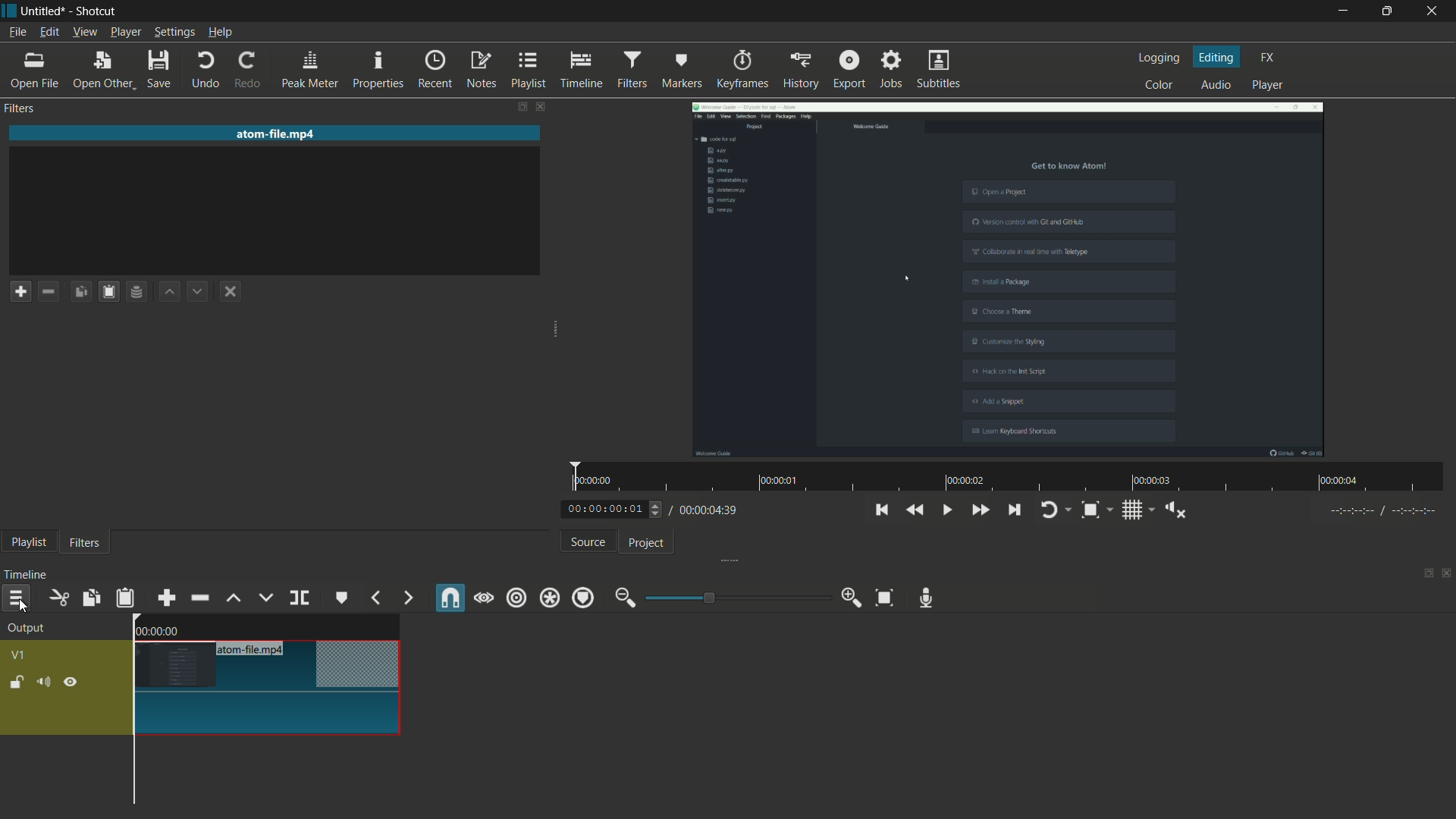  I want to click on color, so click(1162, 85).